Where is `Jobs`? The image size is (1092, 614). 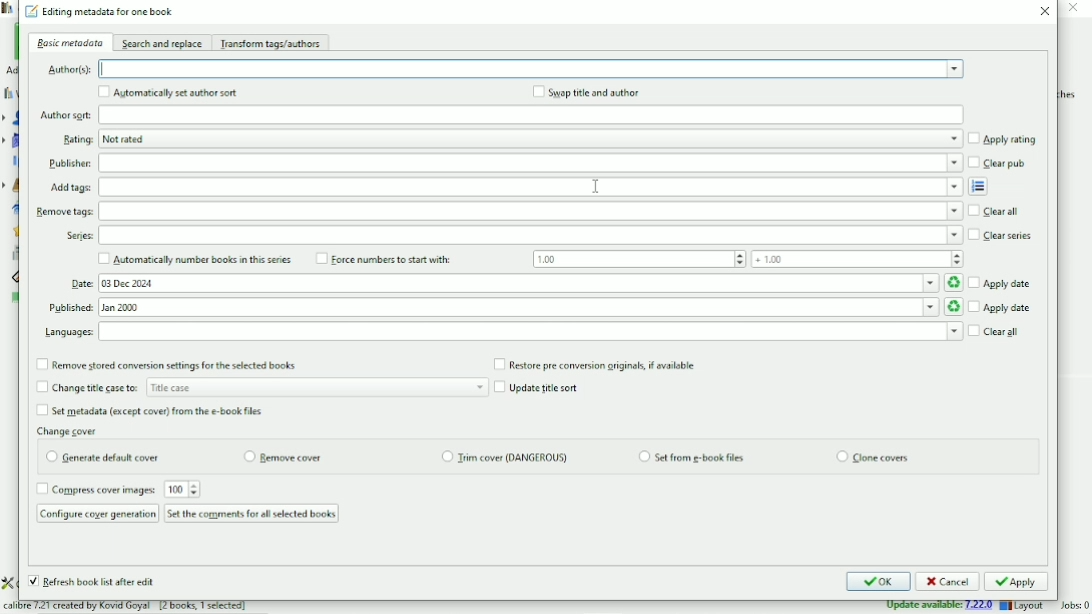
Jobs is located at coordinates (1072, 605).